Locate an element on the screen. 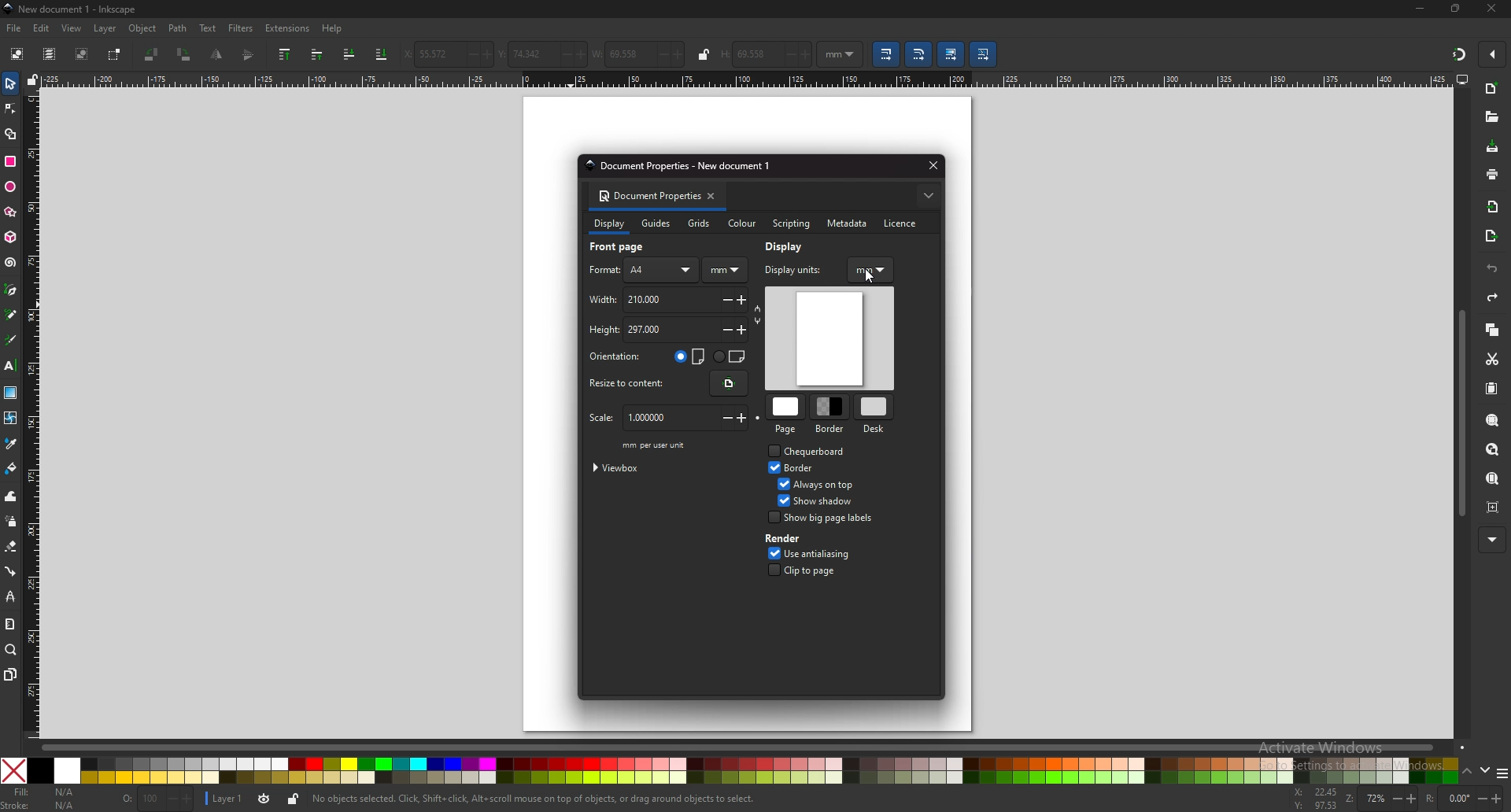 This screenshot has height=812, width=1511. lower selection to one step is located at coordinates (349, 54).